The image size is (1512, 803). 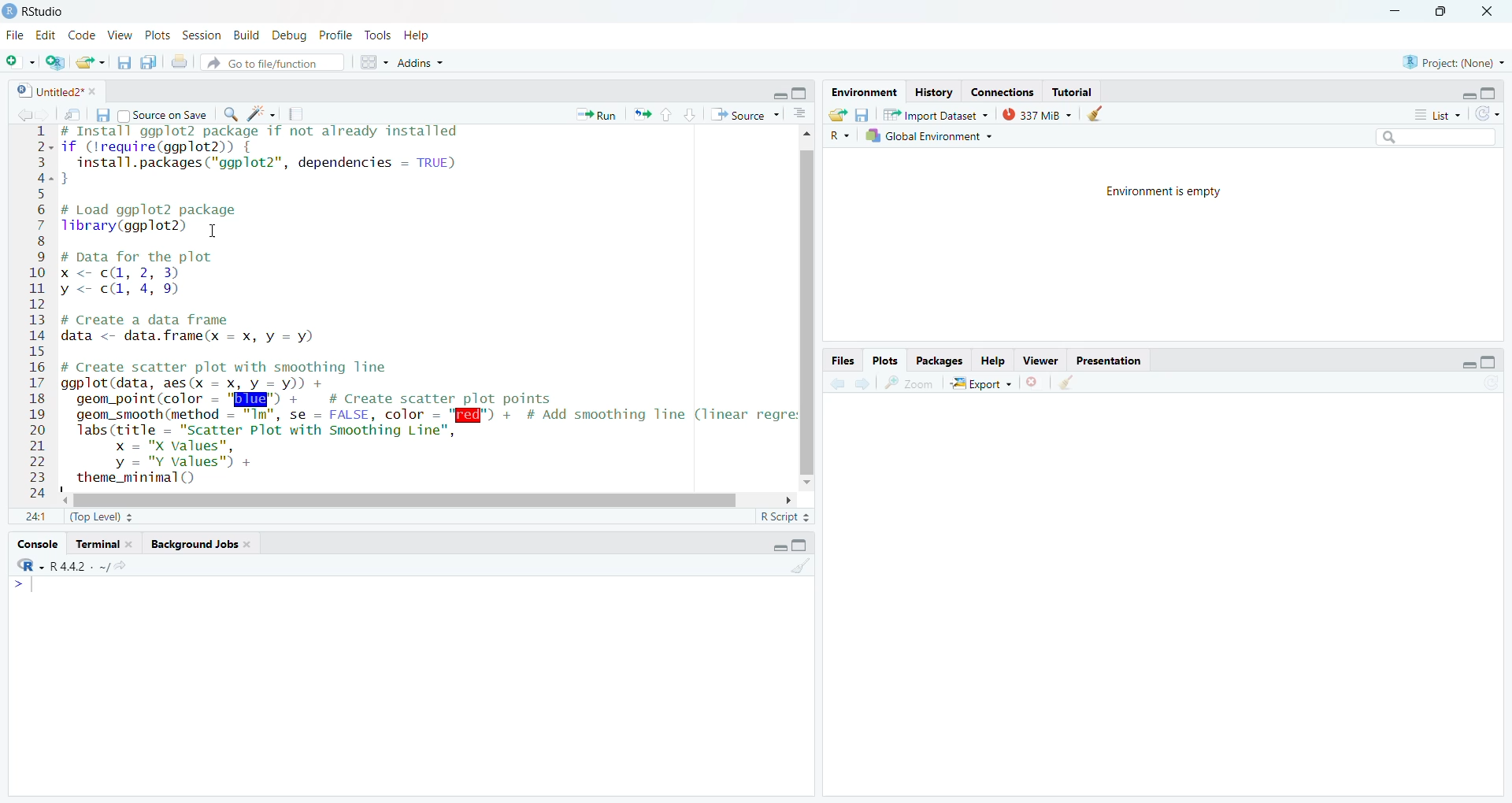 I want to click on go to previous section/chunk, so click(x=665, y=116).